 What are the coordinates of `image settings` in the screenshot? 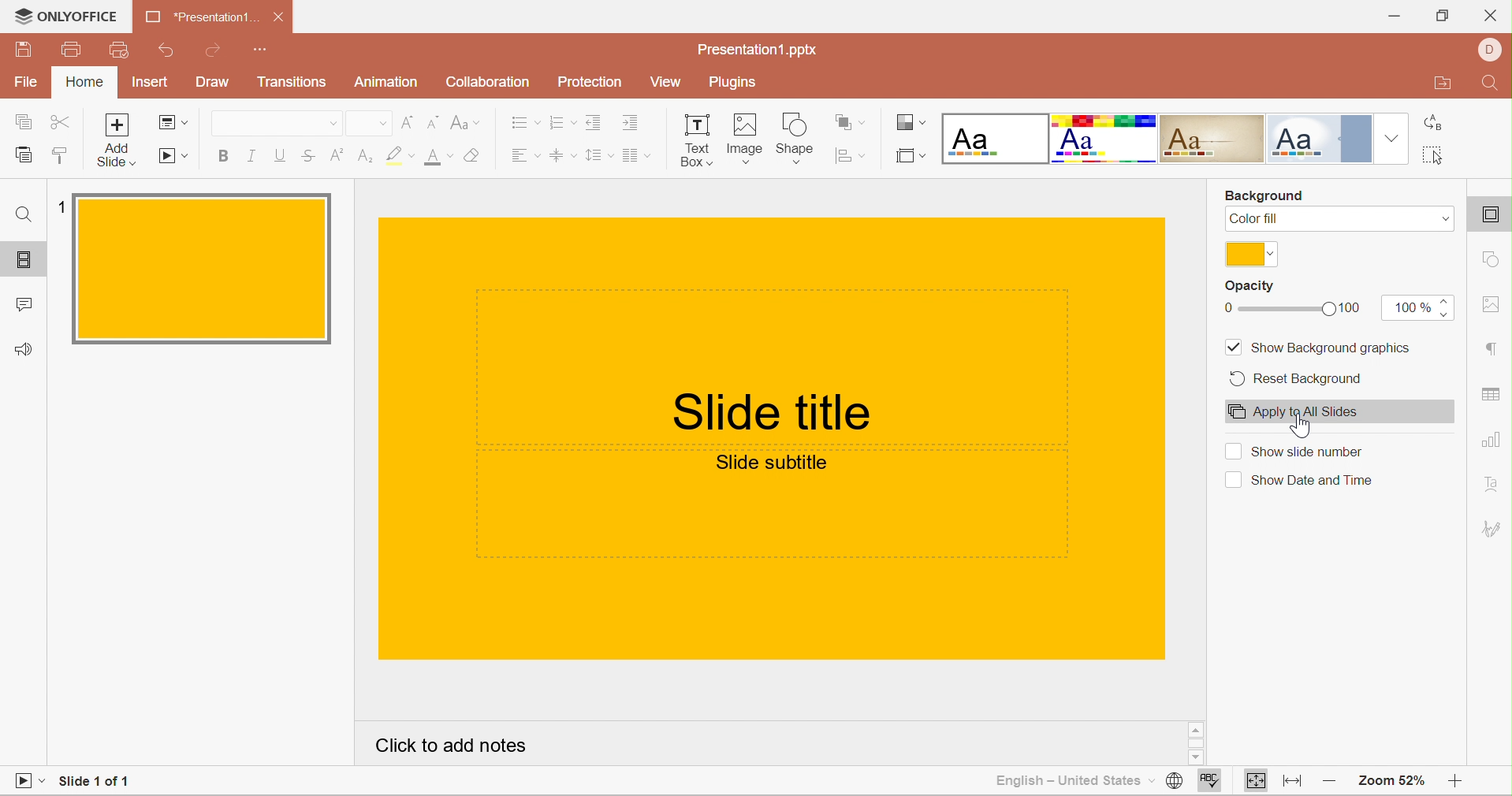 It's located at (1494, 305).